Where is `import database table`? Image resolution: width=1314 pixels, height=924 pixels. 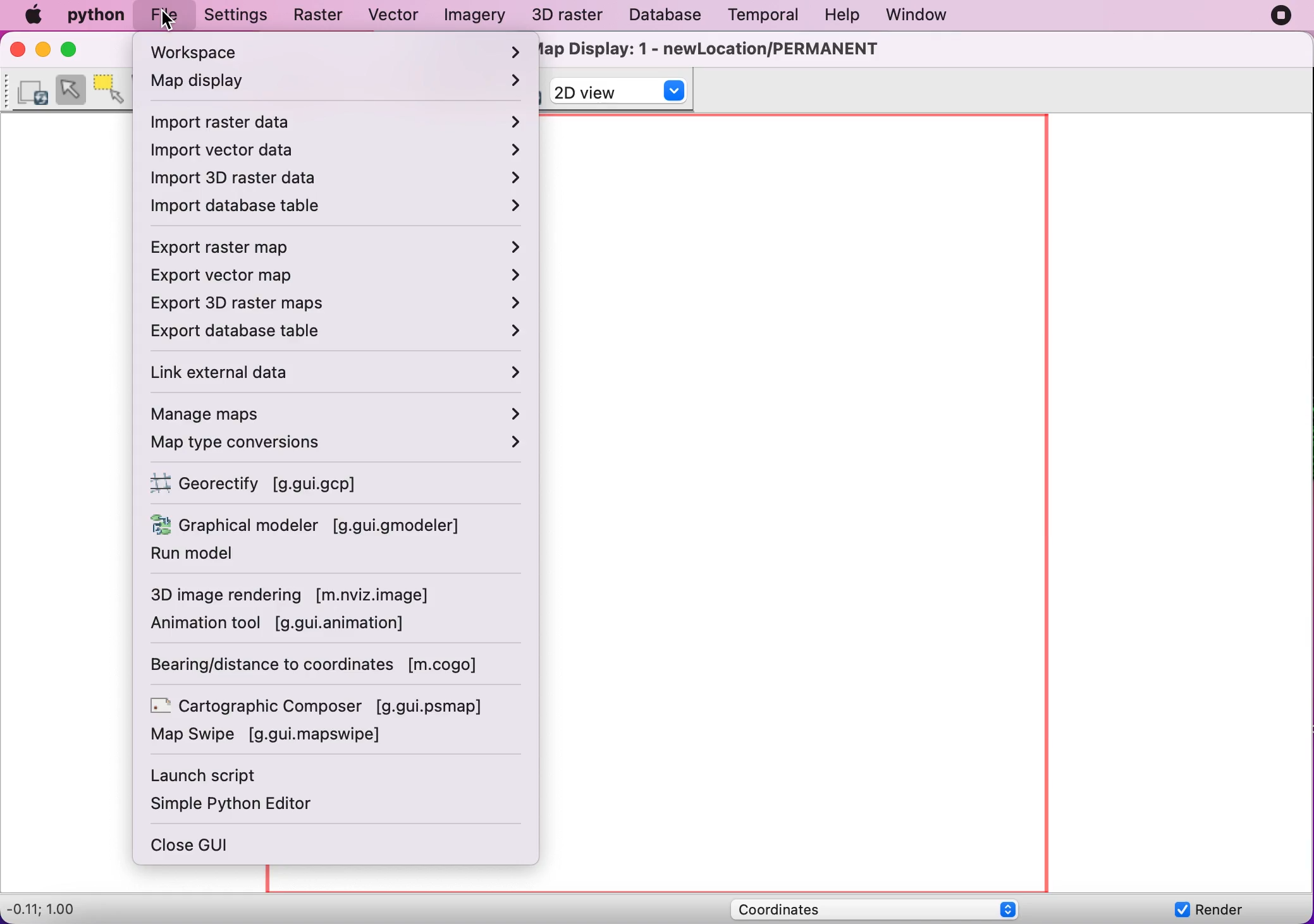
import database table is located at coordinates (338, 207).